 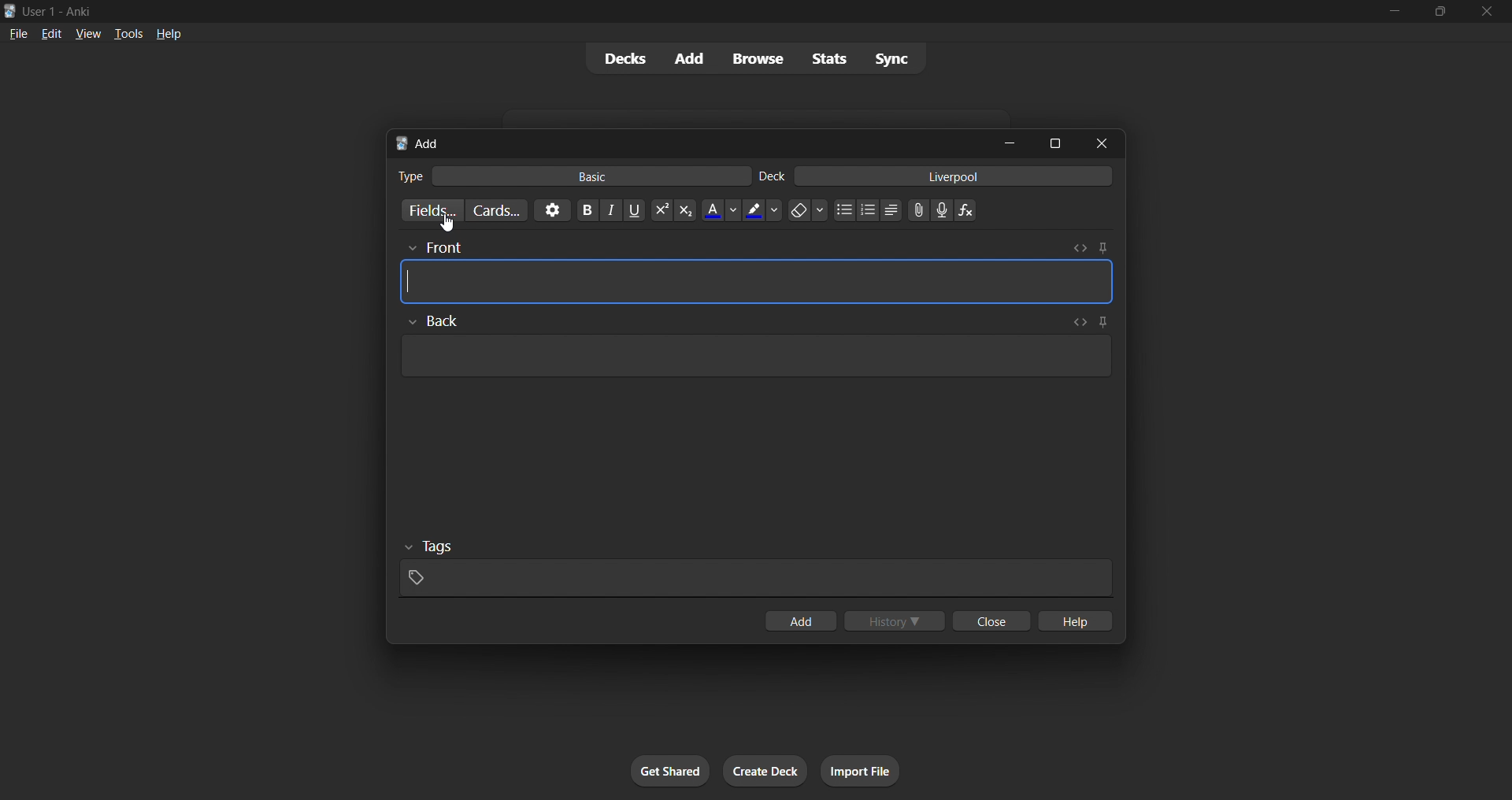 What do you see at coordinates (757, 282) in the screenshot?
I see `card font input` at bounding box center [757, 282].